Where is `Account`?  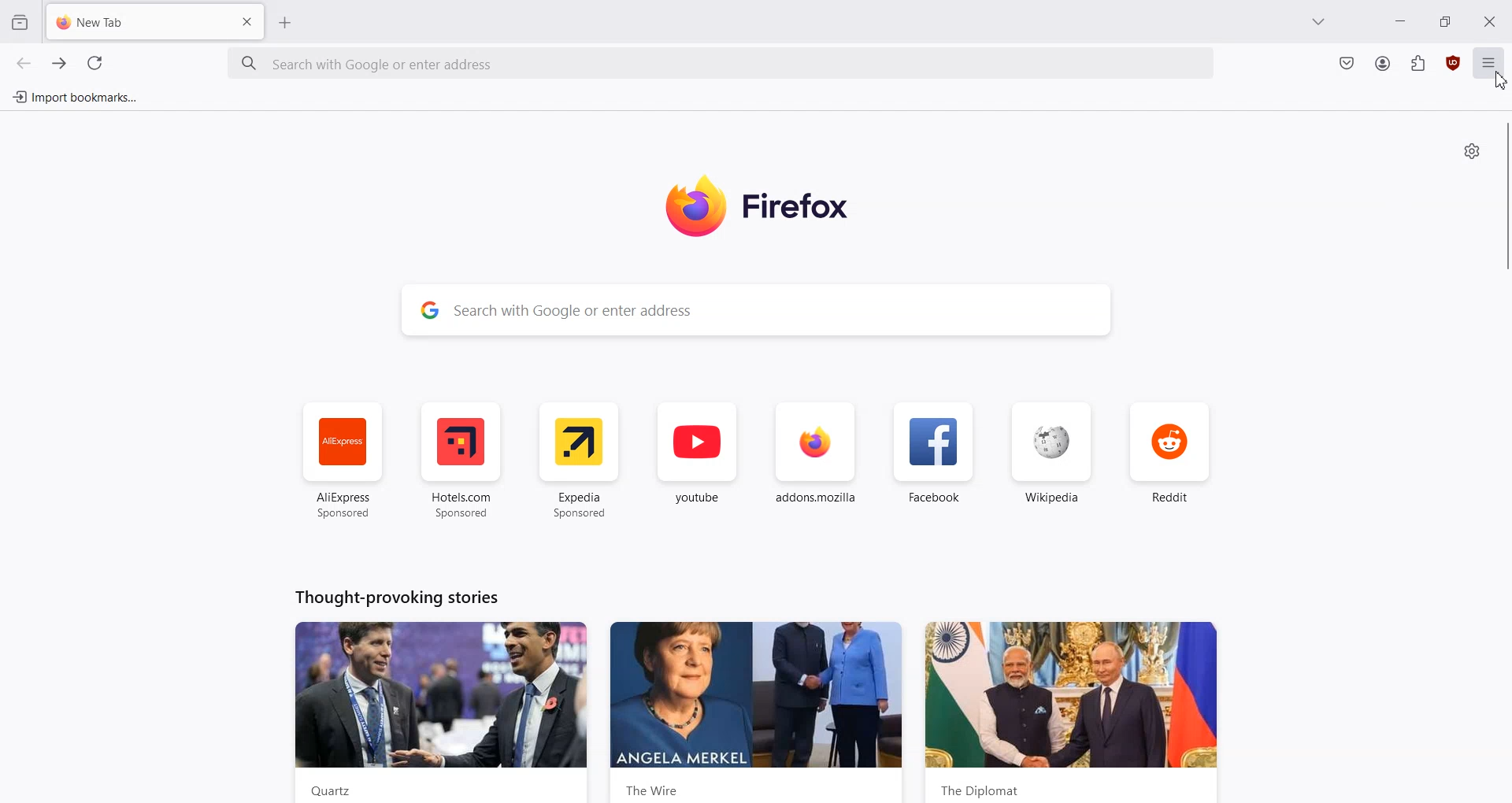
Account is located at coordinates (1382, 64).